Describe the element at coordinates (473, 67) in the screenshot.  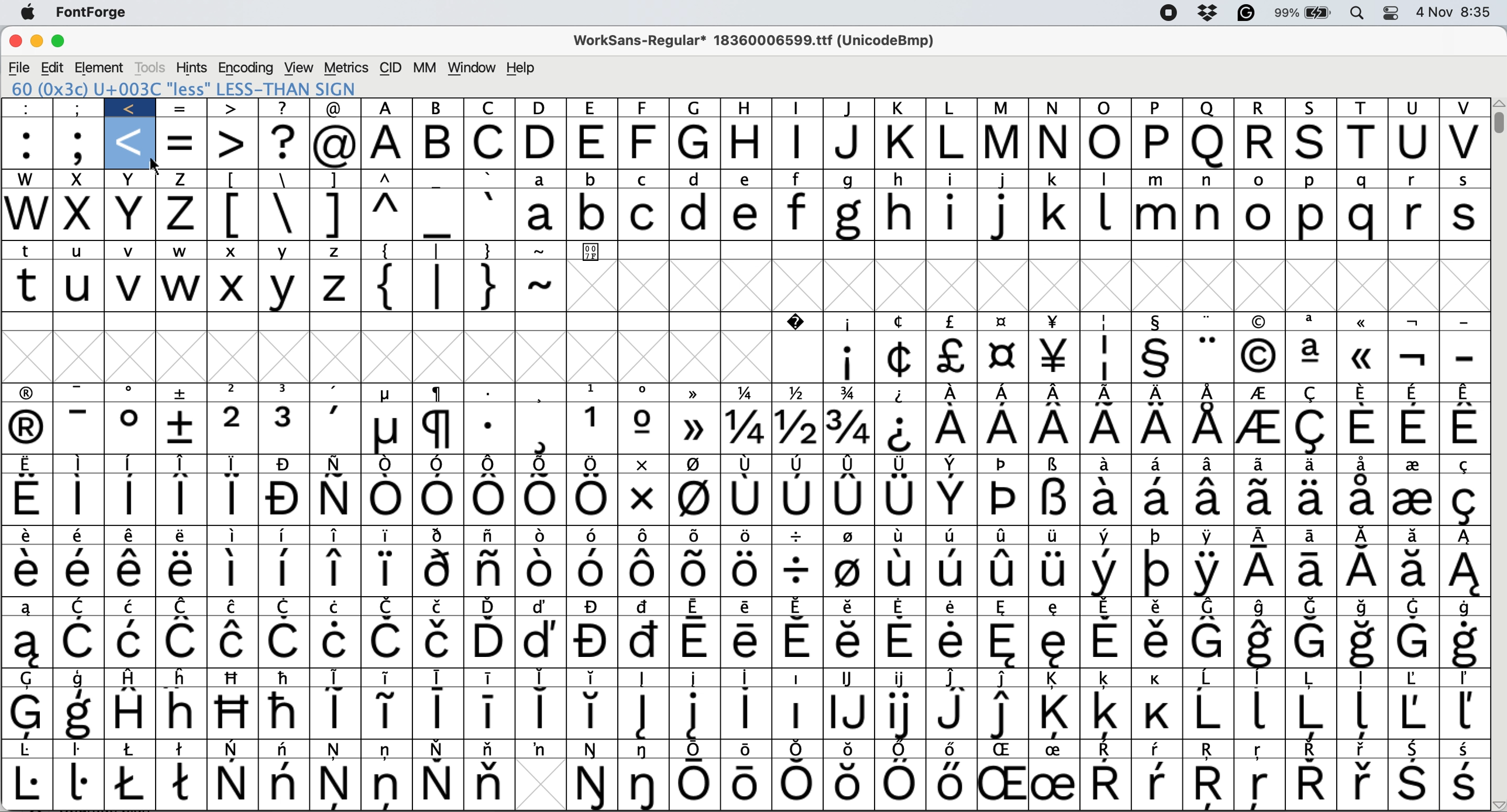
I see `window` at that location.